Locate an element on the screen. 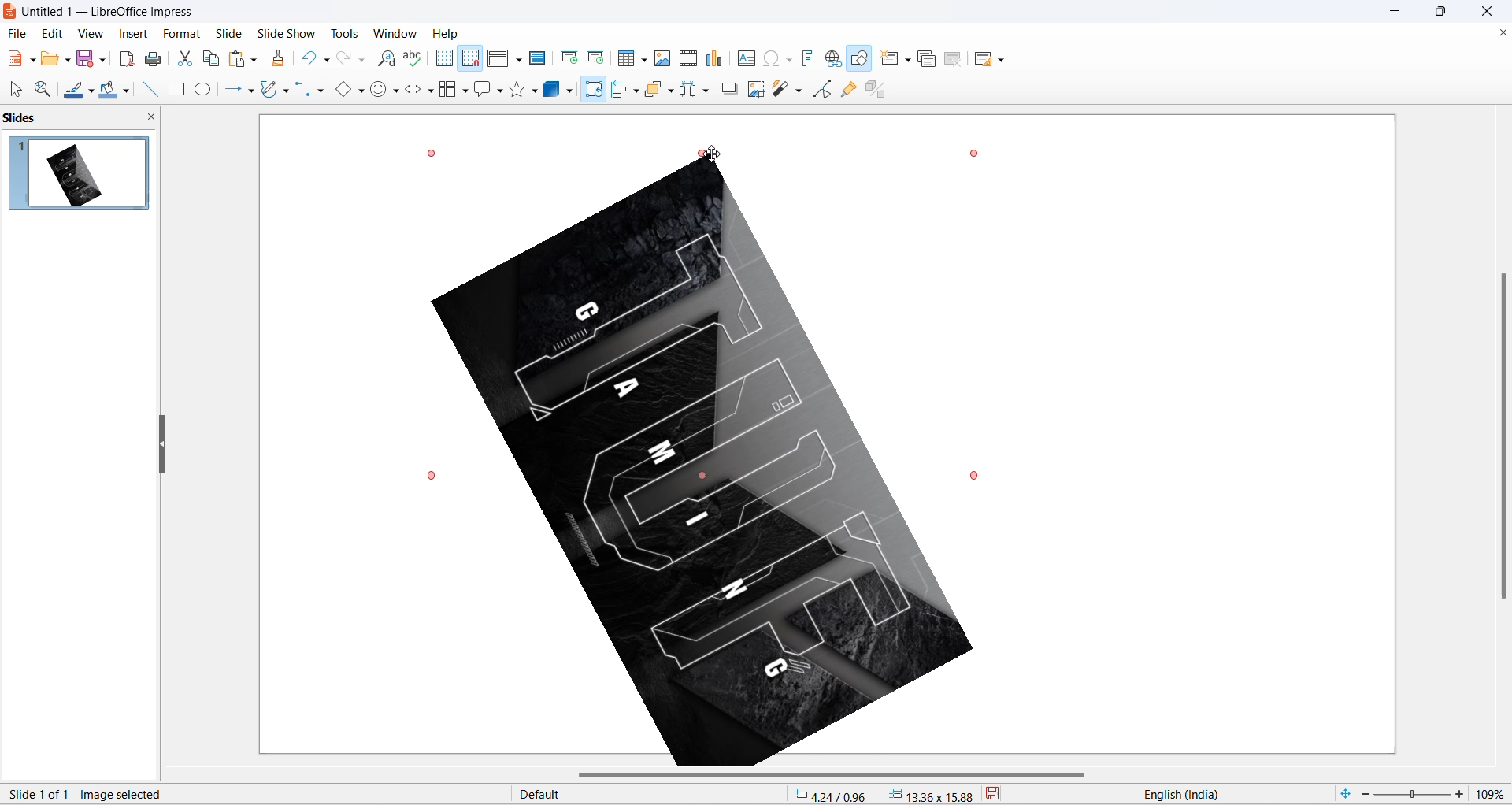  line color is located at coordinates (73, 91).